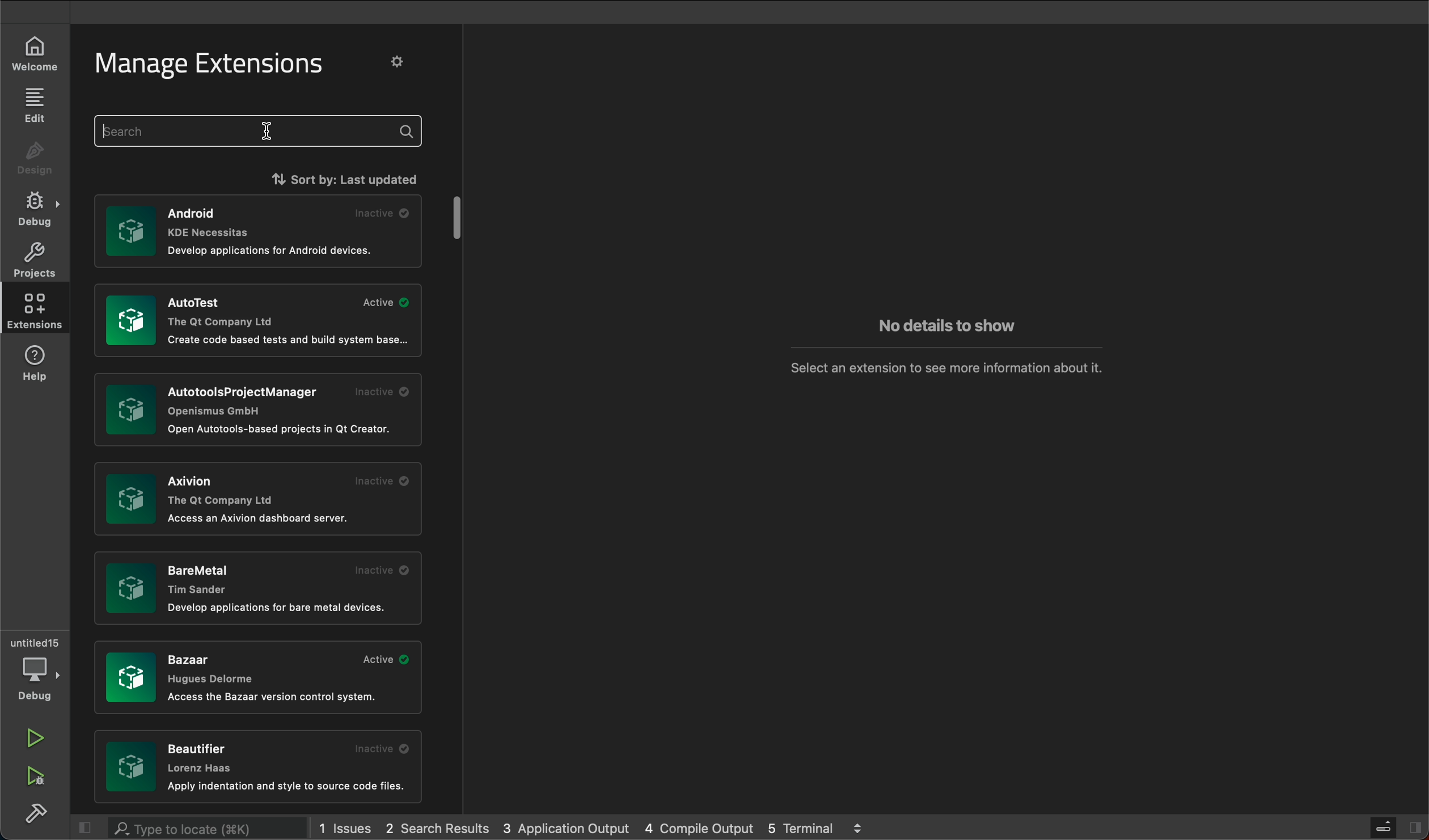 This screenshot has height=840, width=1429. Describe the element at coordinates (35, 814) in the screenshot. I see `build` at that location.